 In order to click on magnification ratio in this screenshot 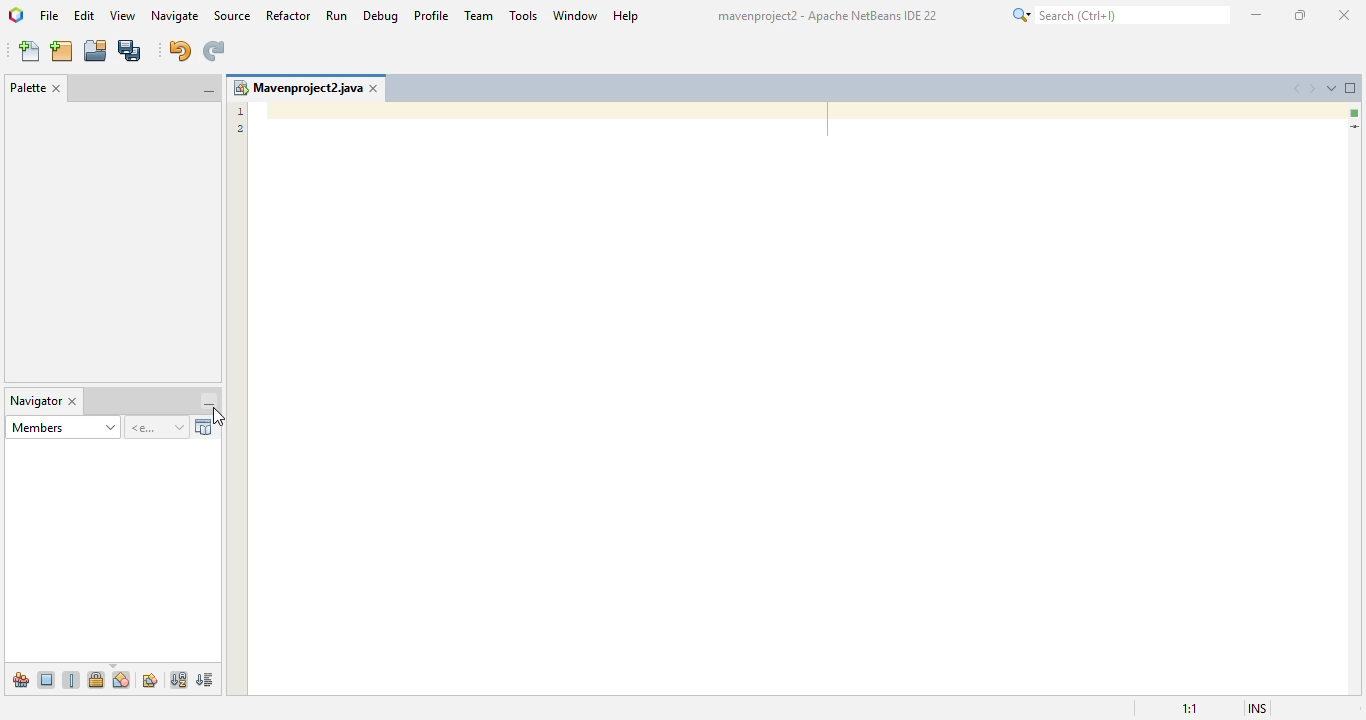, I will do `click(1190, 708)`.